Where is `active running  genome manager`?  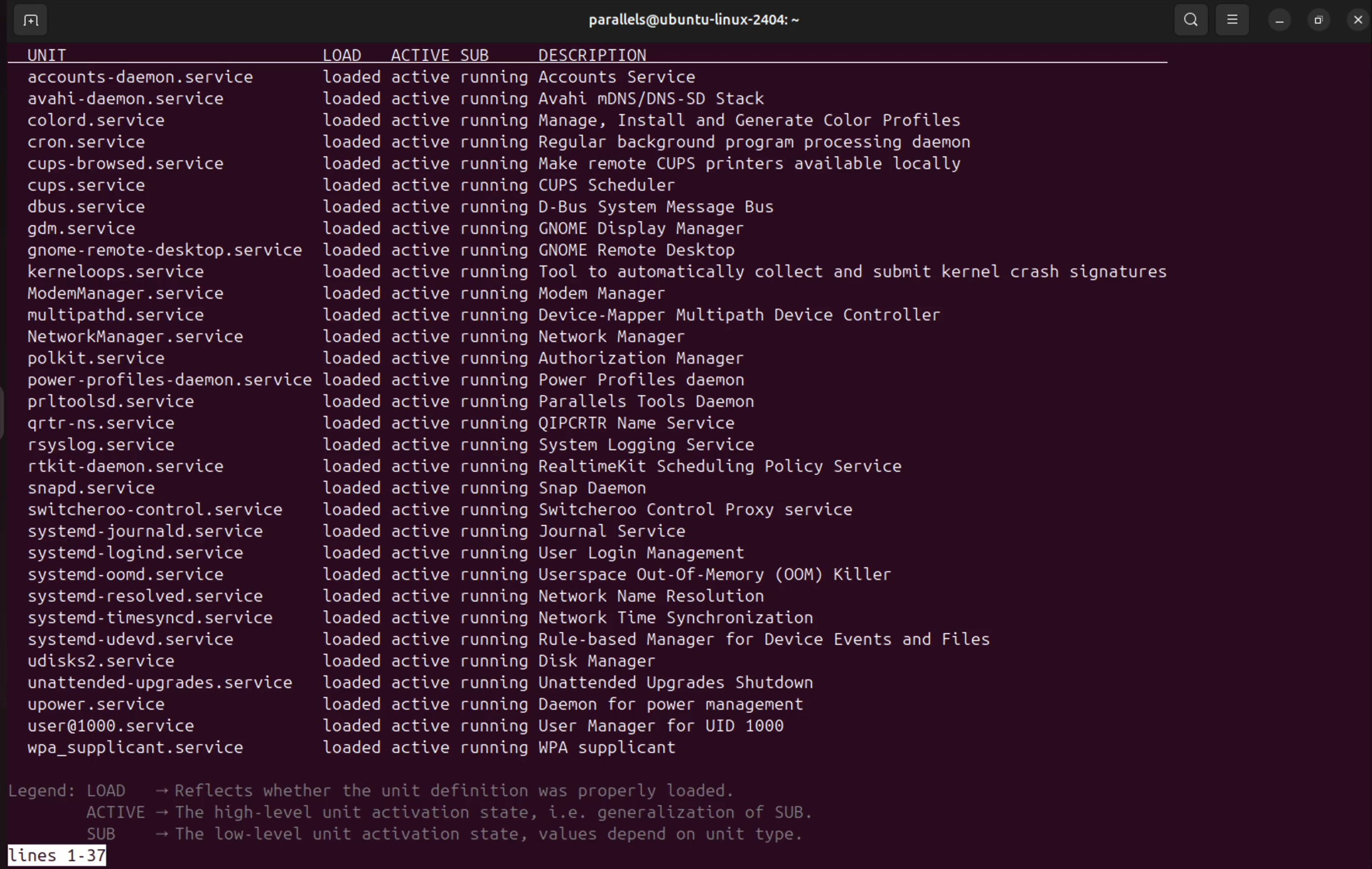 active running  genome manager is located at coordinates (577, 230).